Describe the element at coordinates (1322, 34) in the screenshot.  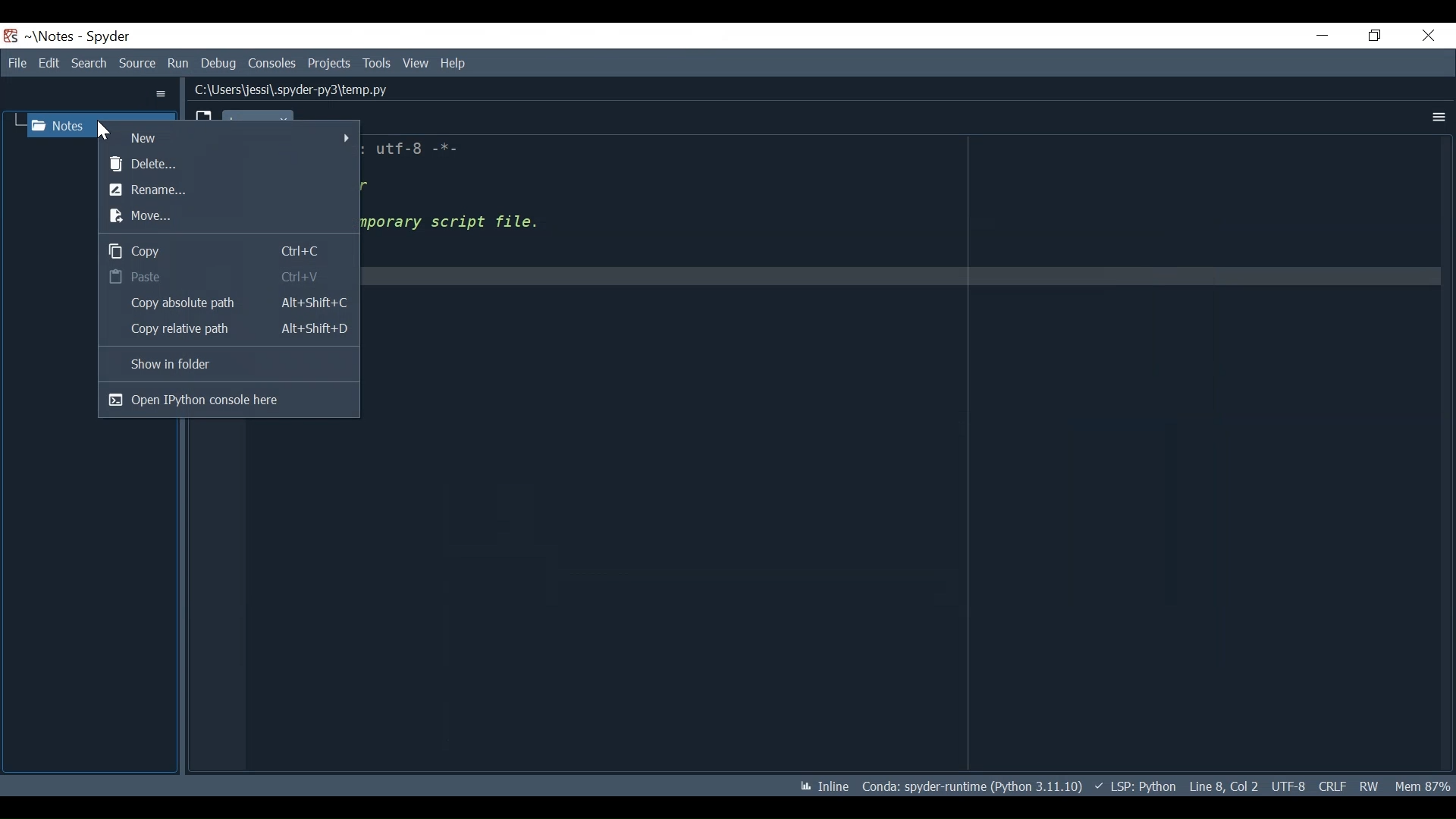
I see `Minimize` at that location.